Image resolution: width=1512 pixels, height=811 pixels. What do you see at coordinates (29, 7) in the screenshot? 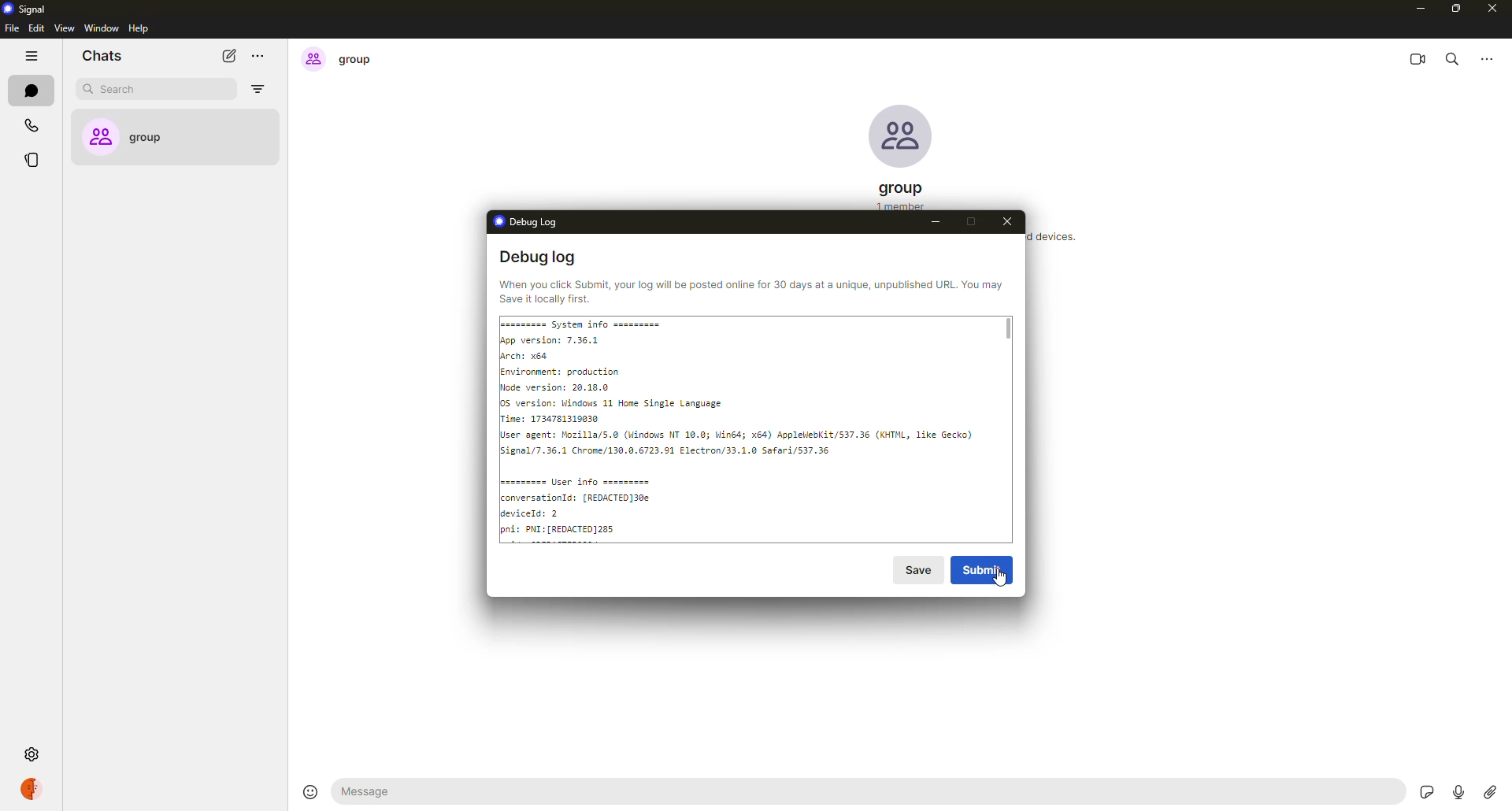
I see `signal` at bounding box center [29, 7].